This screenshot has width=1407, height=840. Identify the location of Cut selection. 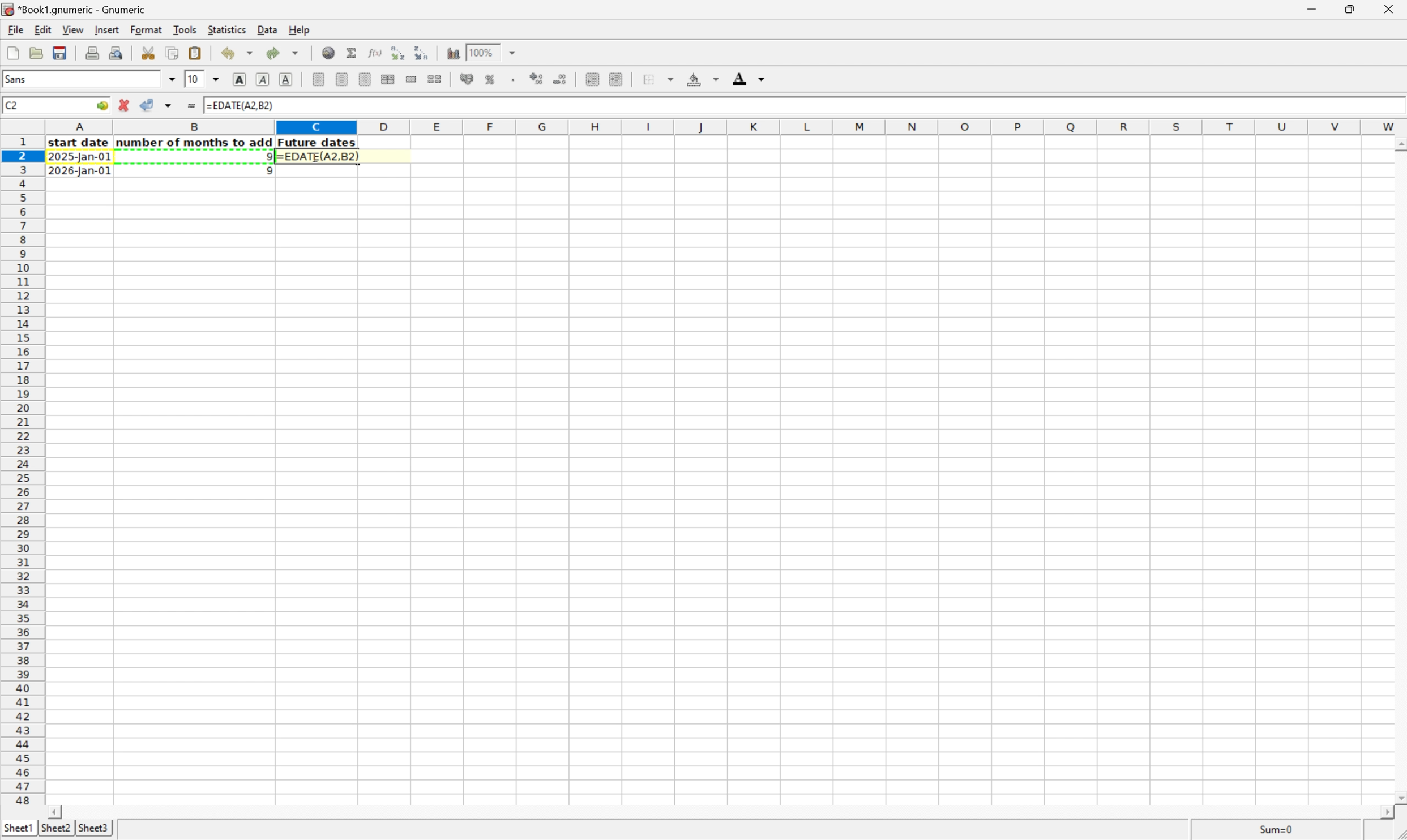
(149, 52).